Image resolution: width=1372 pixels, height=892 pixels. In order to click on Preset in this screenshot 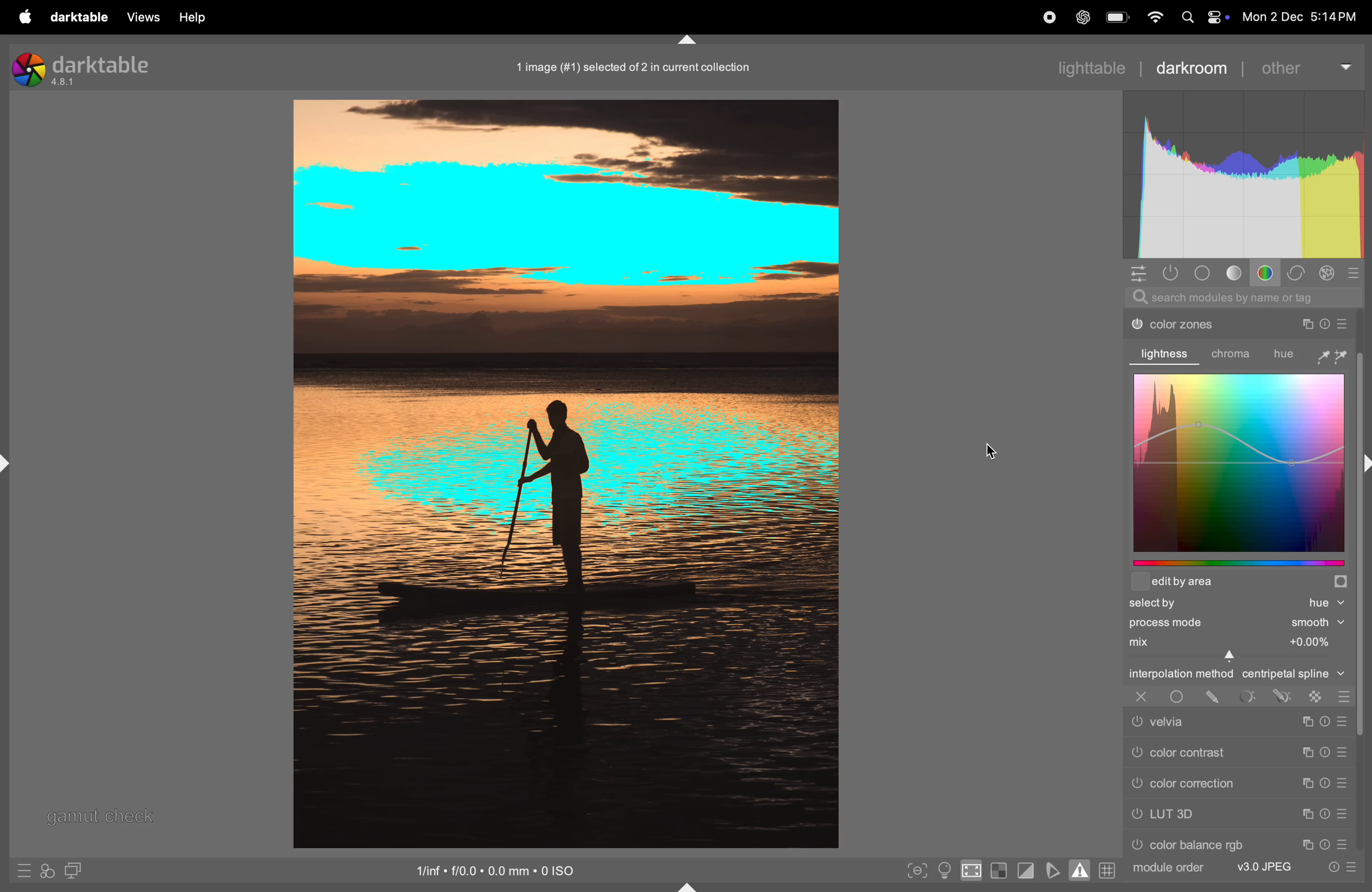, I will do `click(1344, 721)`.